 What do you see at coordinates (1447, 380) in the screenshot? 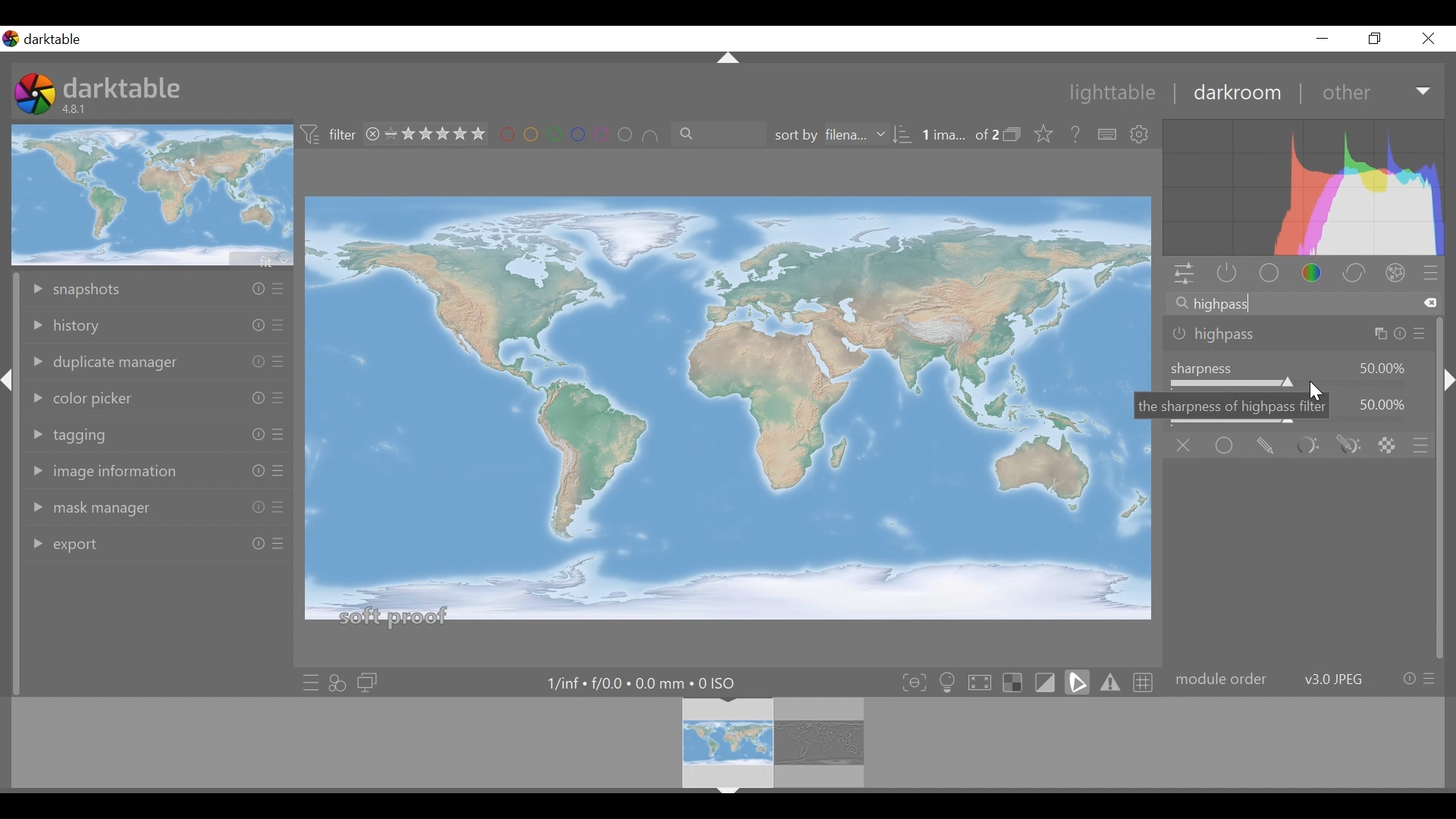
I see `expand/collapse` at bounding box center [1447, 380].